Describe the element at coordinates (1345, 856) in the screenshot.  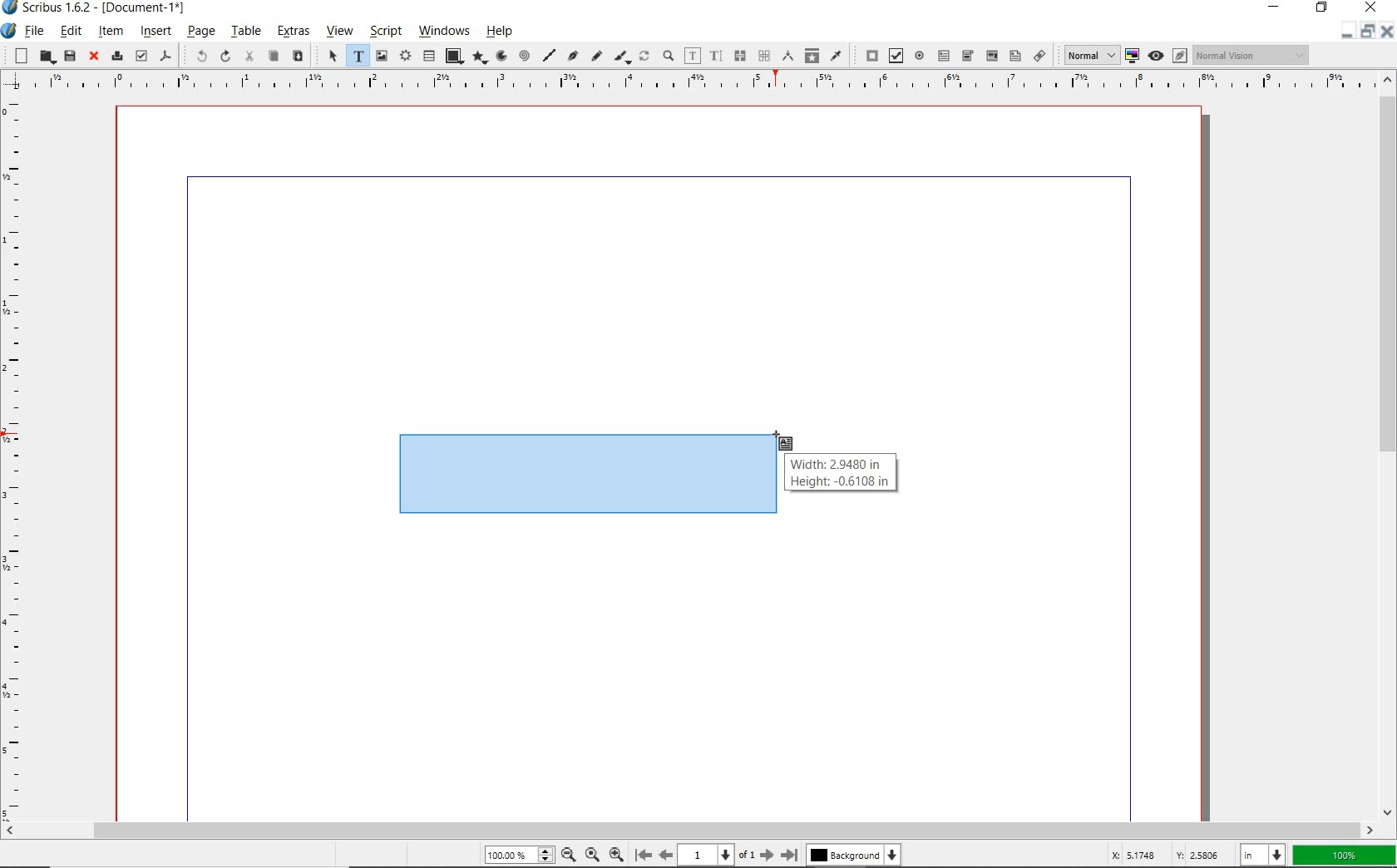
I see `100%` at that location.